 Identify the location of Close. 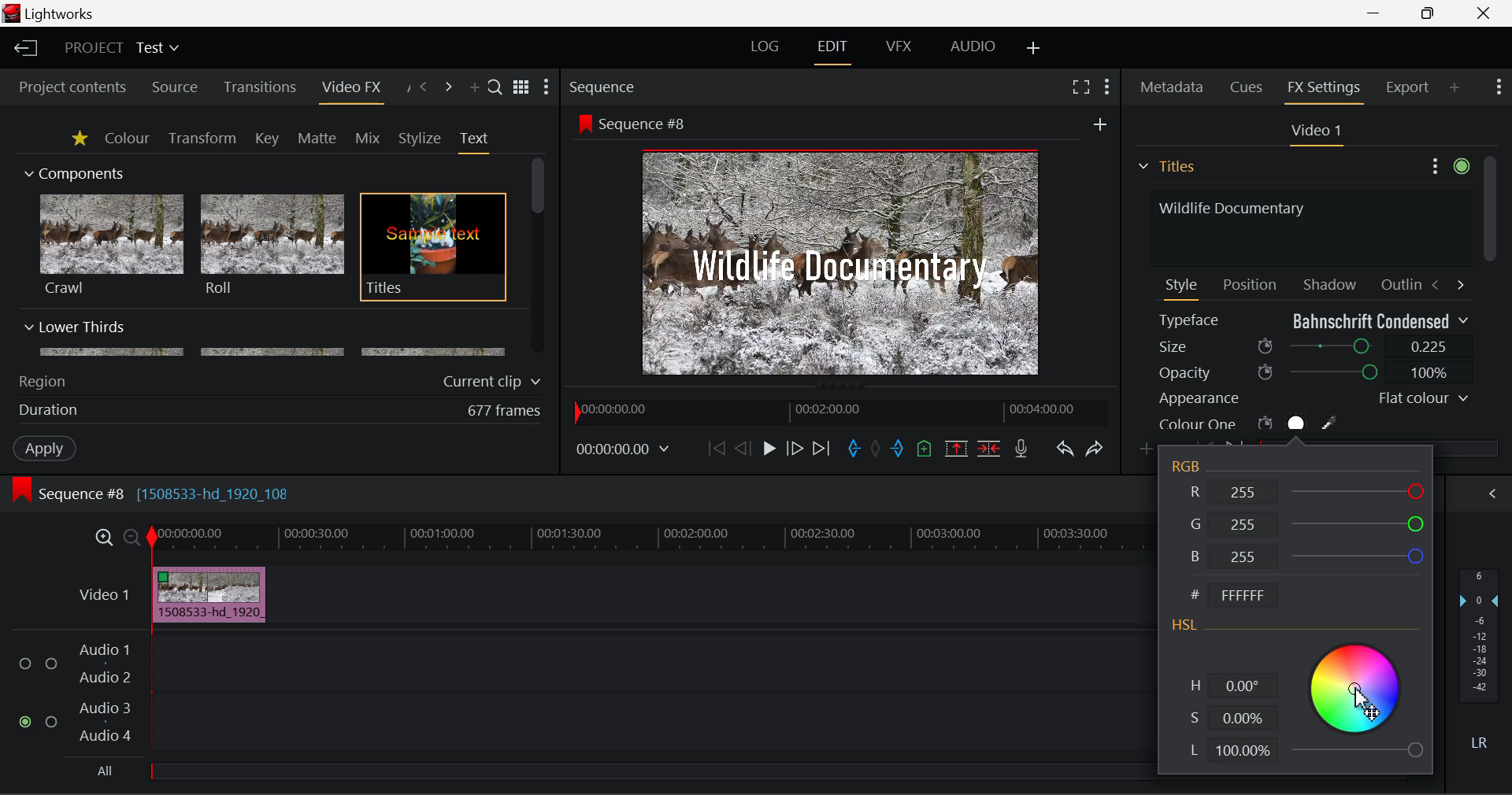
(1484, 12).